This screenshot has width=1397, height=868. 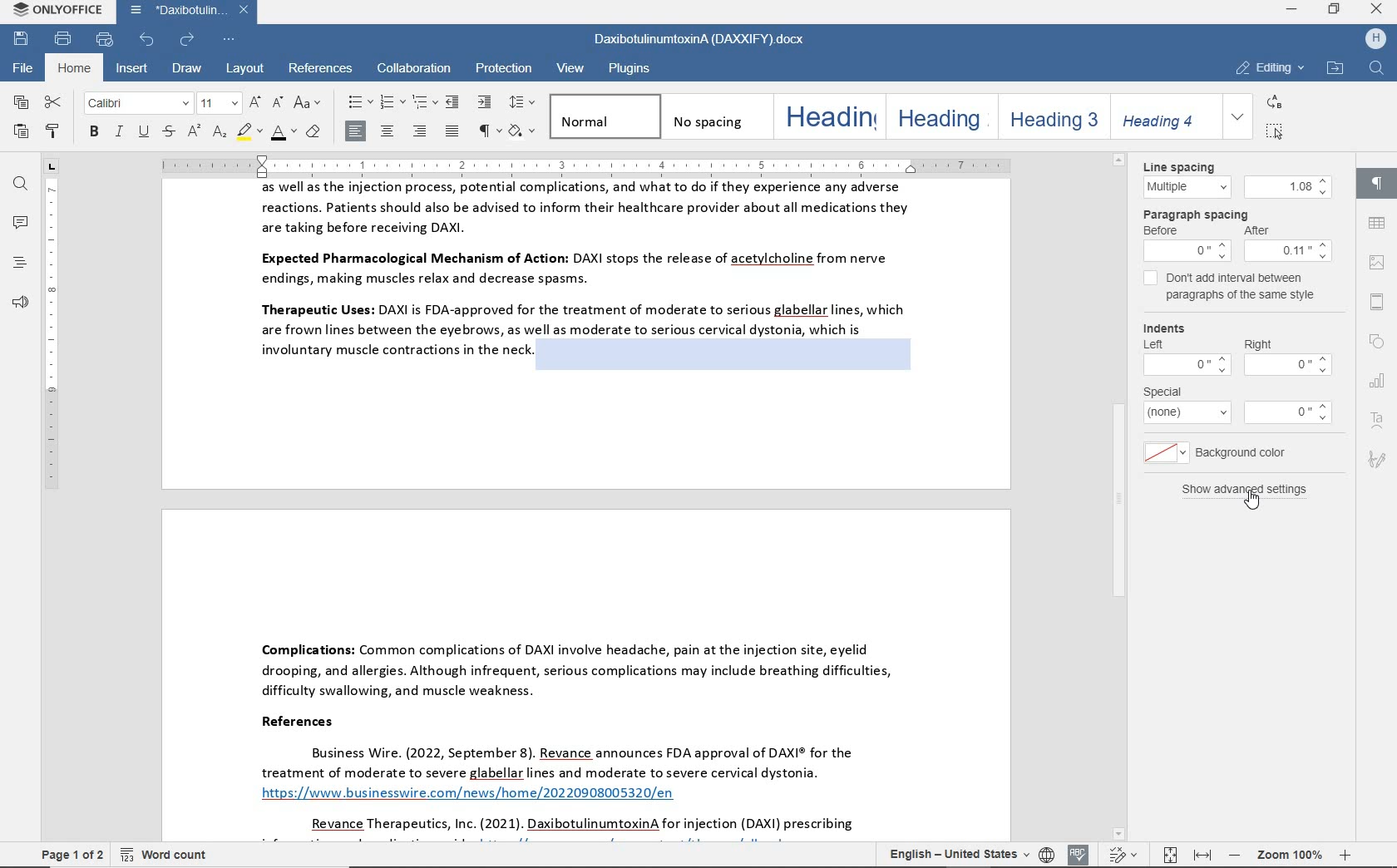 I want to click on collaboration, so click(x=412, y=70).